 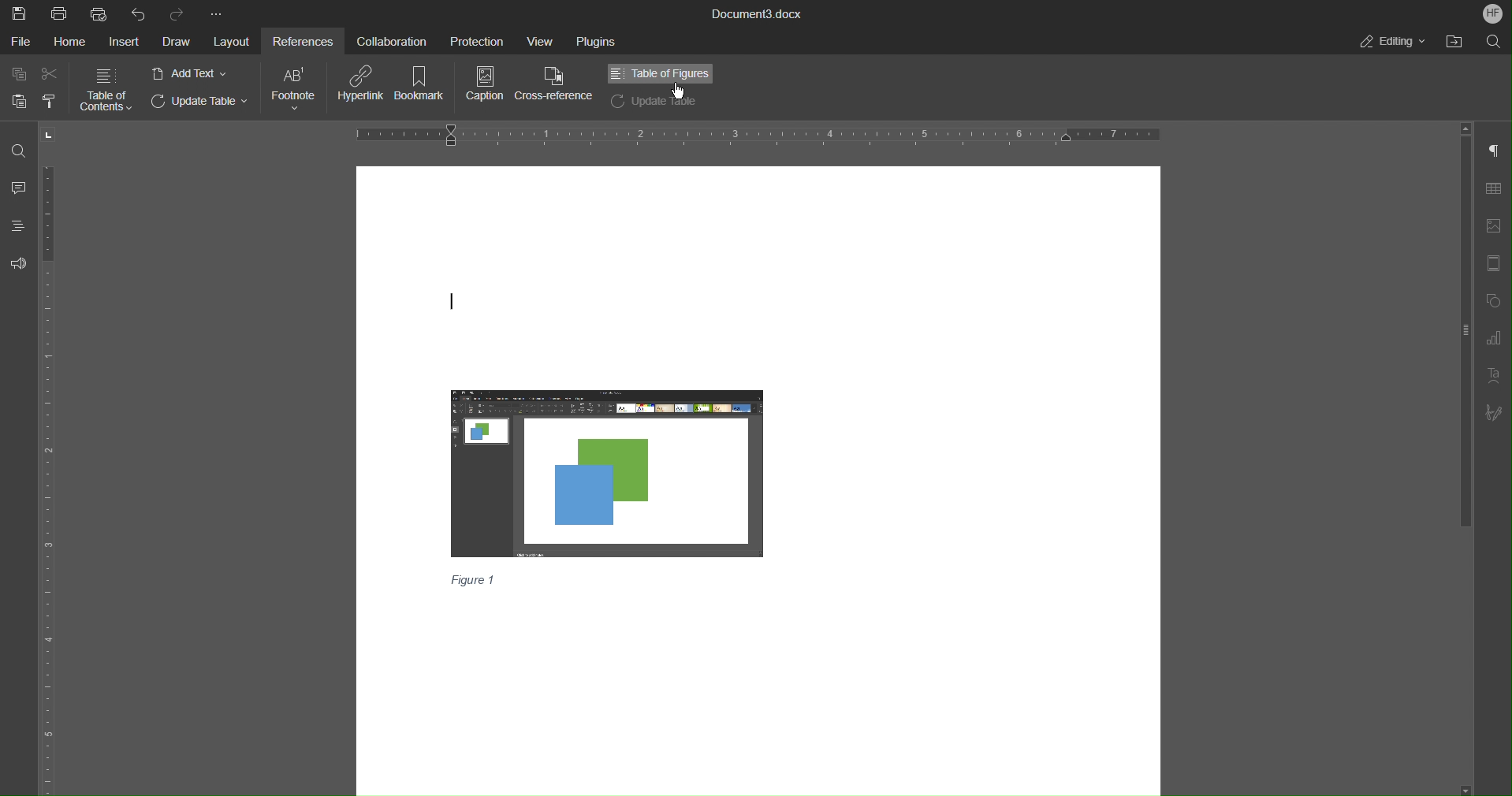 I want to click on Graph Settings, so click(x=1495, y=340).